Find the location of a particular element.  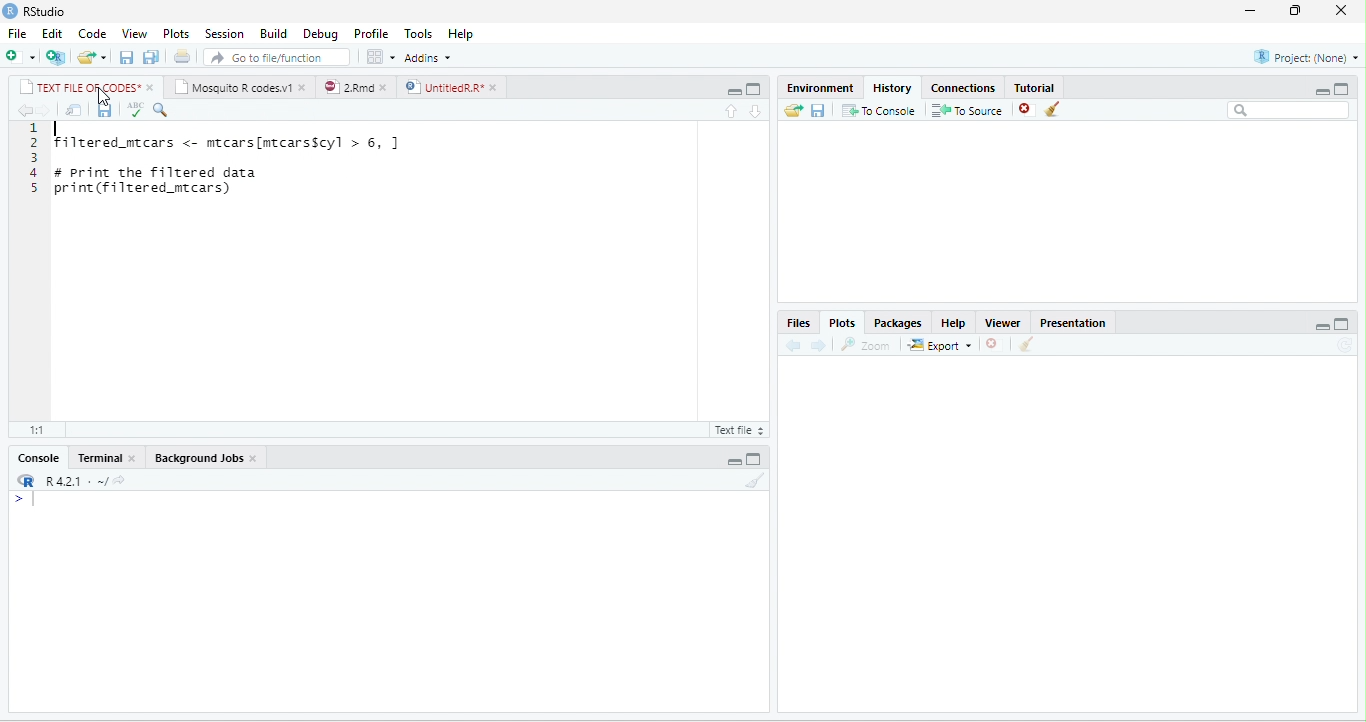

clear is located at coordinates (1026, 344).